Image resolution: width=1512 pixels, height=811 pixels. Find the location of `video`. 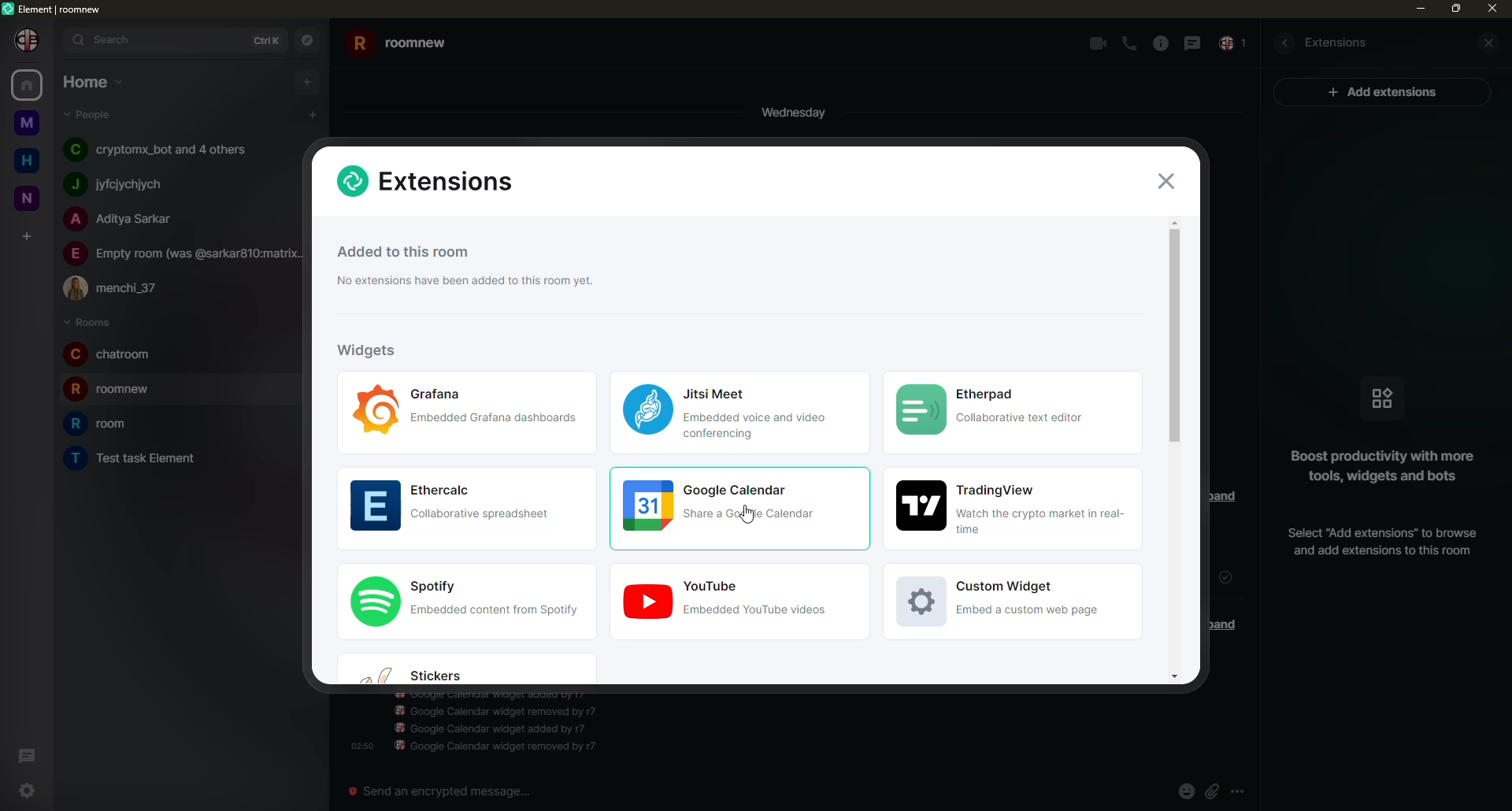

video is located at coordinates (1097, 44).